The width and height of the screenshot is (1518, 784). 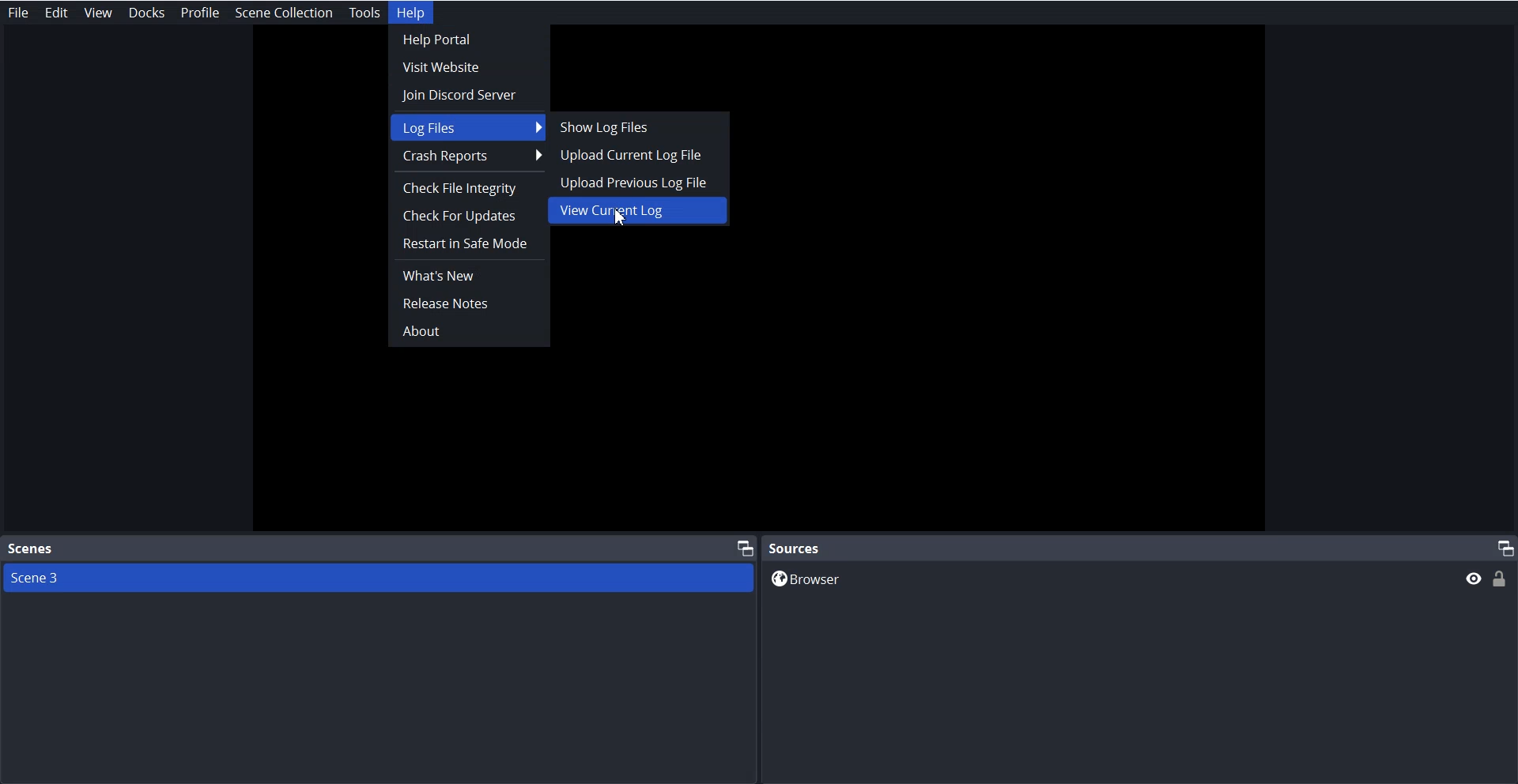 I want to click on Scene 3, so click(x=380, y=579).